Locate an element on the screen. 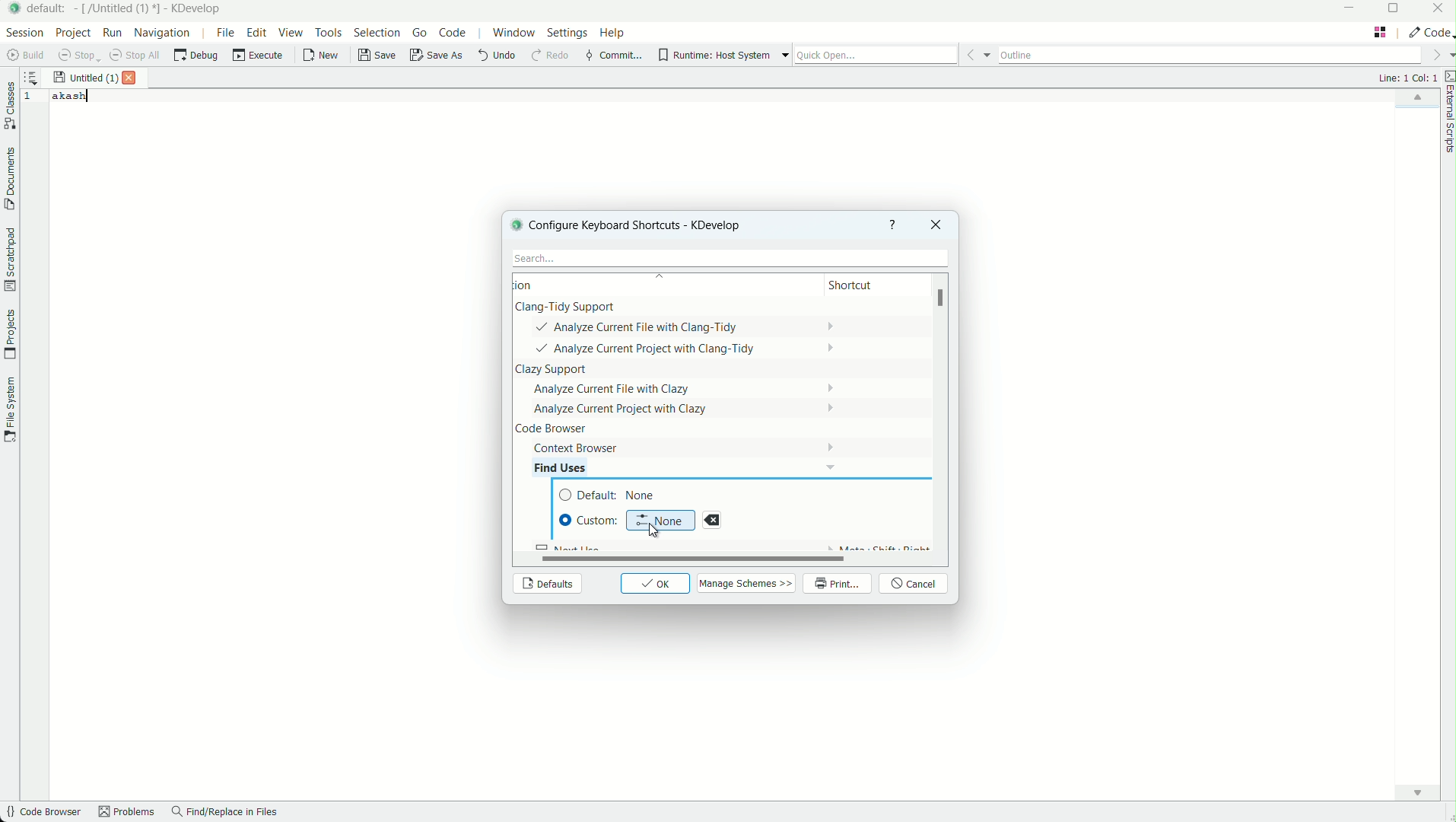  print is located at coordinates (838, 585).